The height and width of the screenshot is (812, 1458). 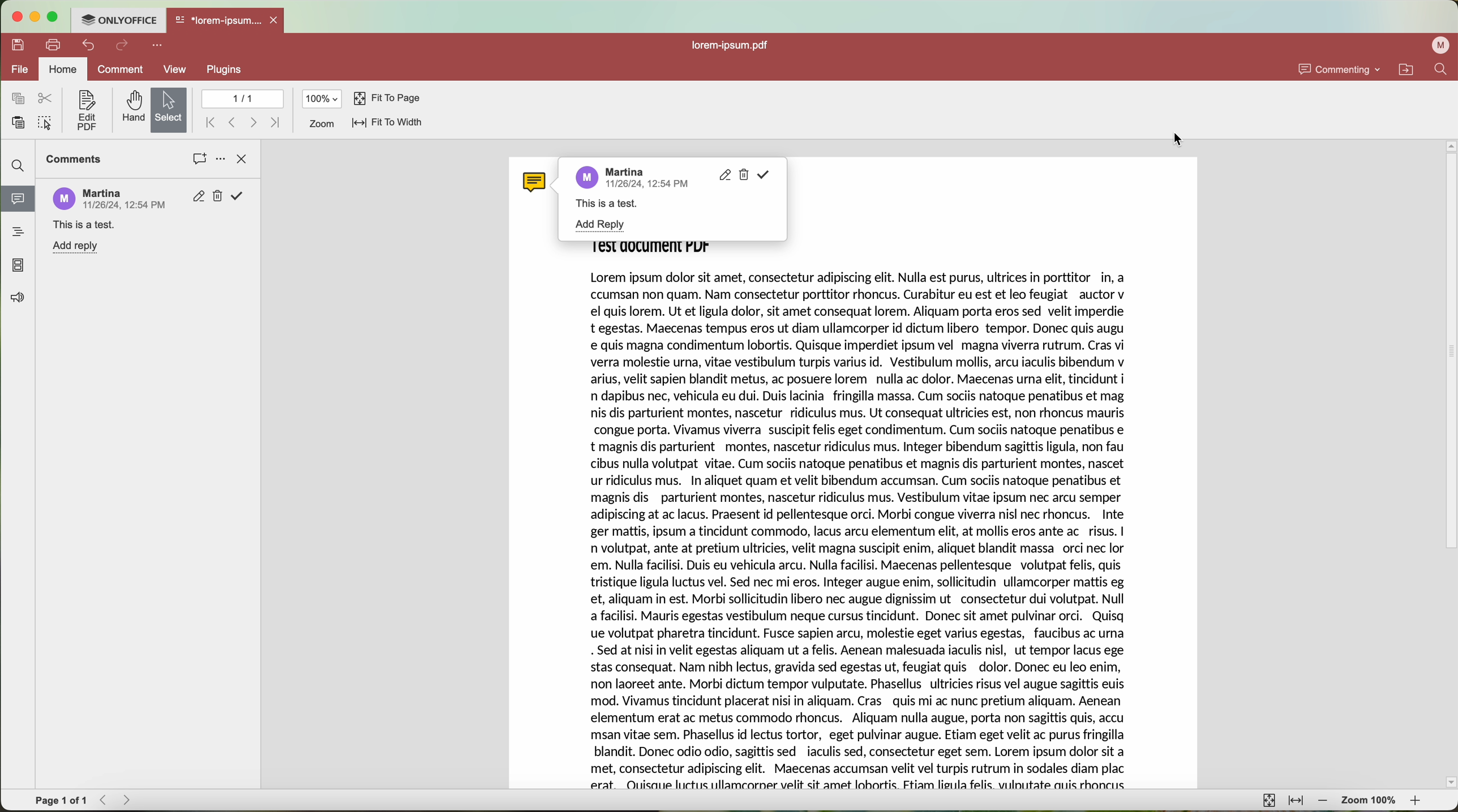 I want to click on maximize, so click(x=53, y=18).